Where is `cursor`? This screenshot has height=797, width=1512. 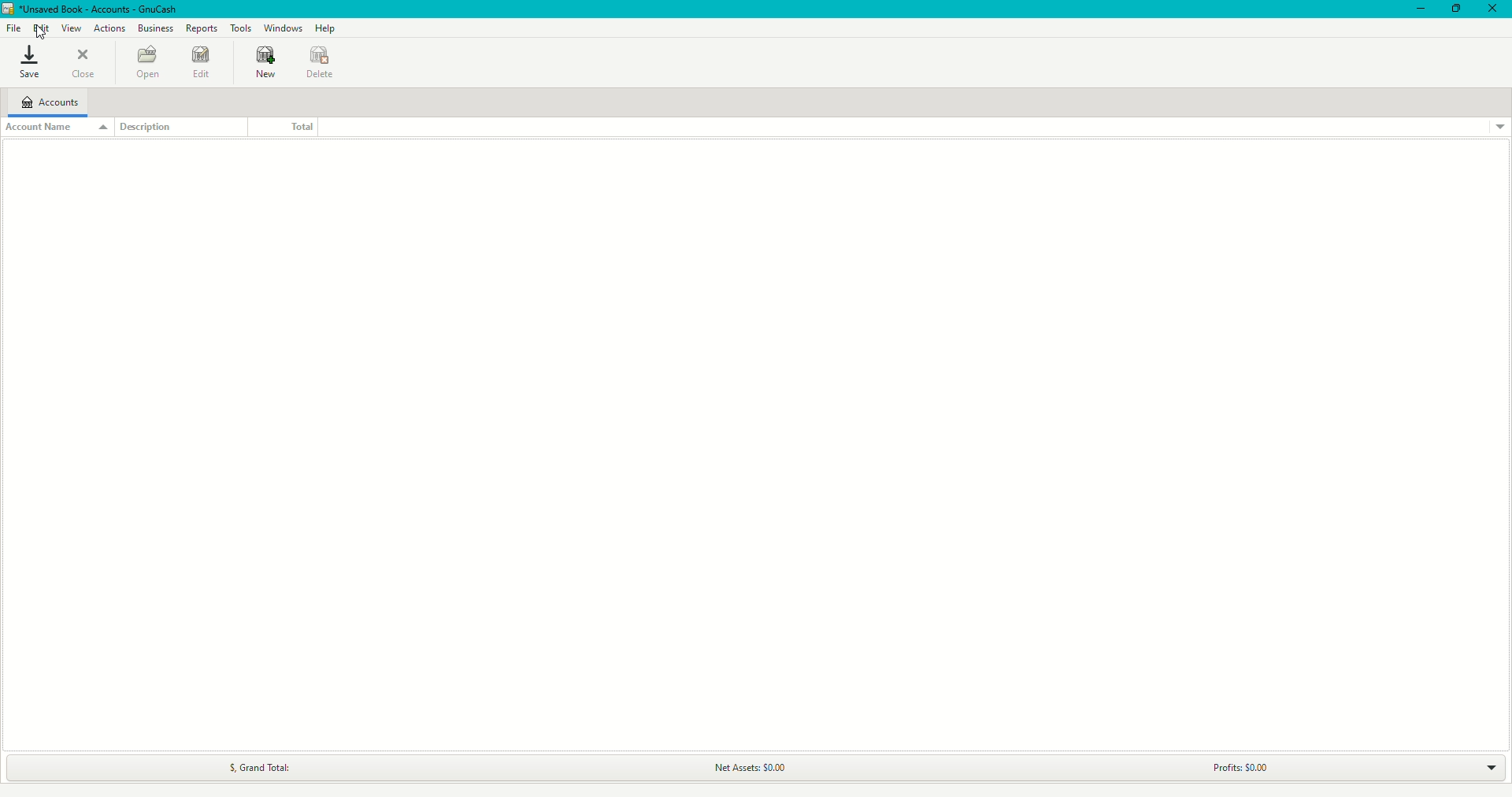
cursor is located at coordinates (43, 33).